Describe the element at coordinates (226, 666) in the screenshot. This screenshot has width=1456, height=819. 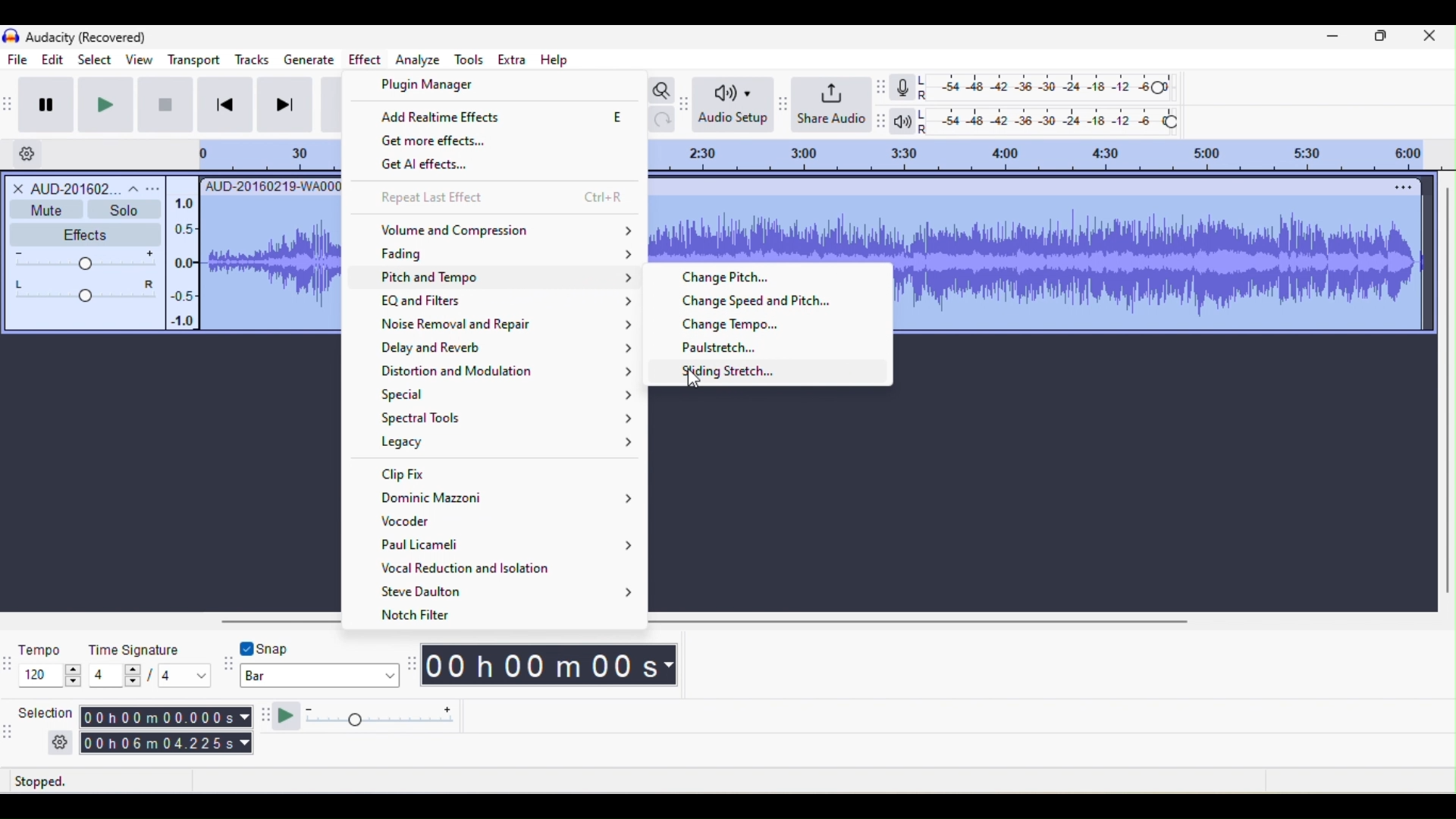
I see `audacity snapping toolbar` at that location.